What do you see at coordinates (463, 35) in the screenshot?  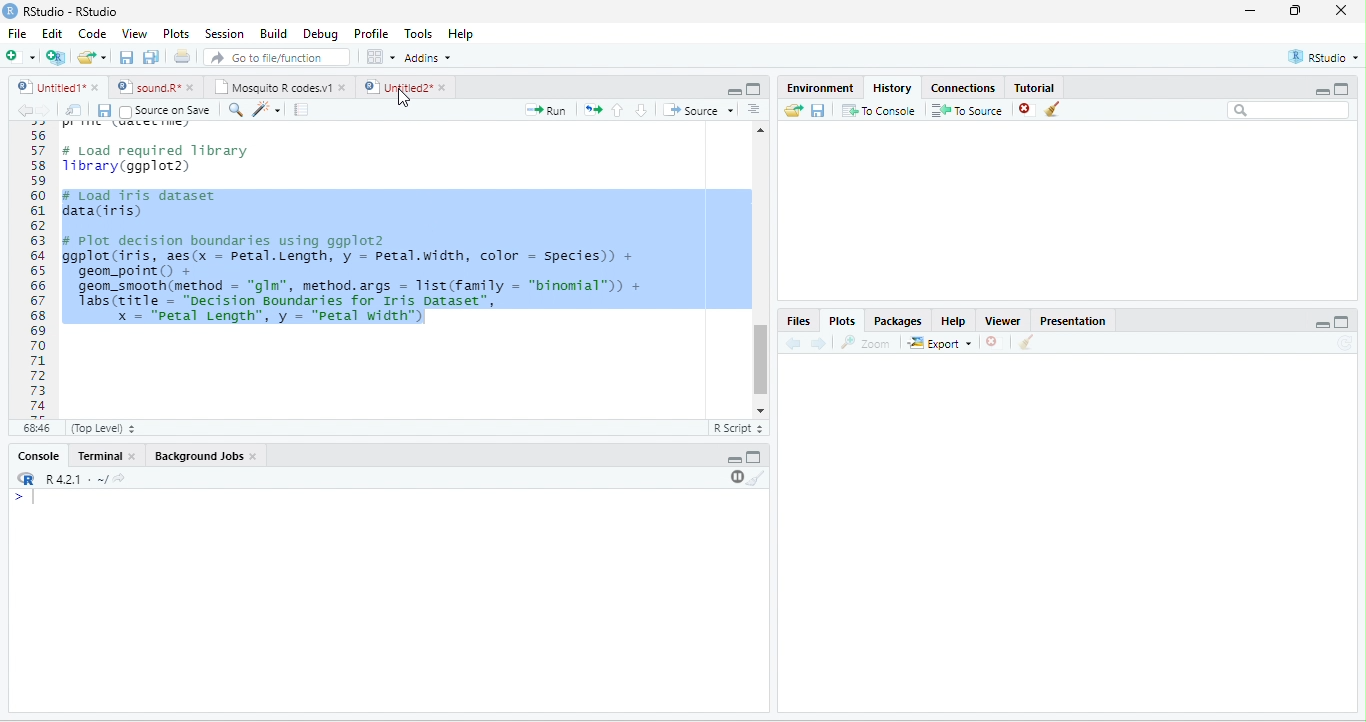 I see `Help` at bounding box center [463, 35].